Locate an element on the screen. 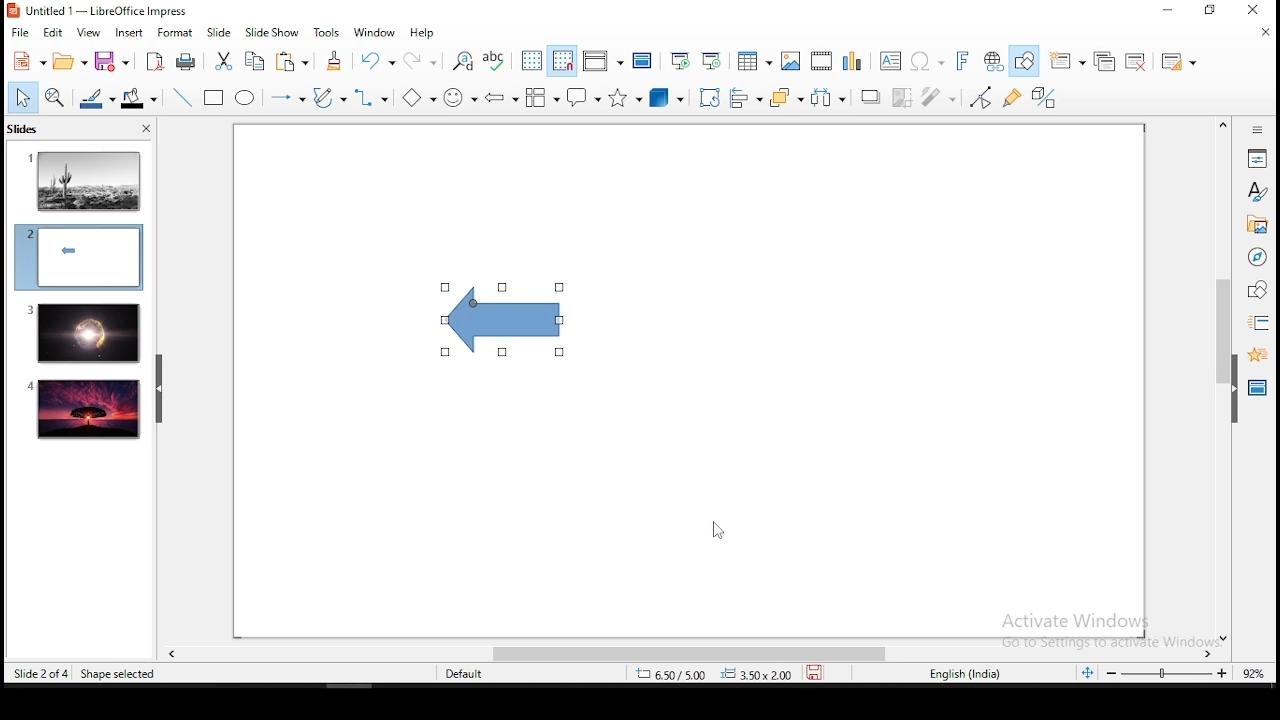 The width and height of the screenshot is (1280, 720). close is located at coordinates (144, 131).